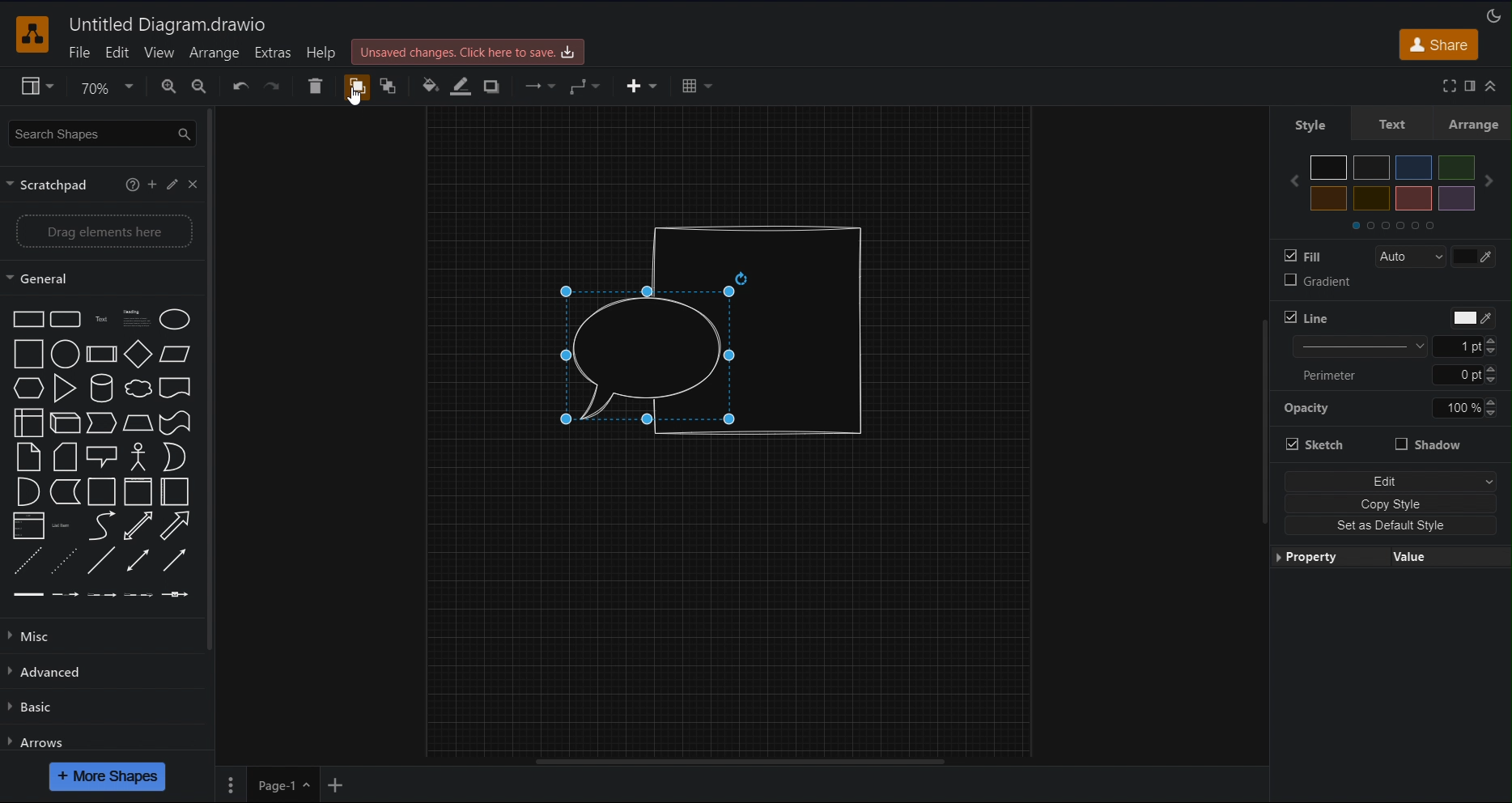 Image resolution: width=1512 pixels, height=803 pixels. Describe the element at coordinates (29, 491) in the screenshot. I see `And` at that location.